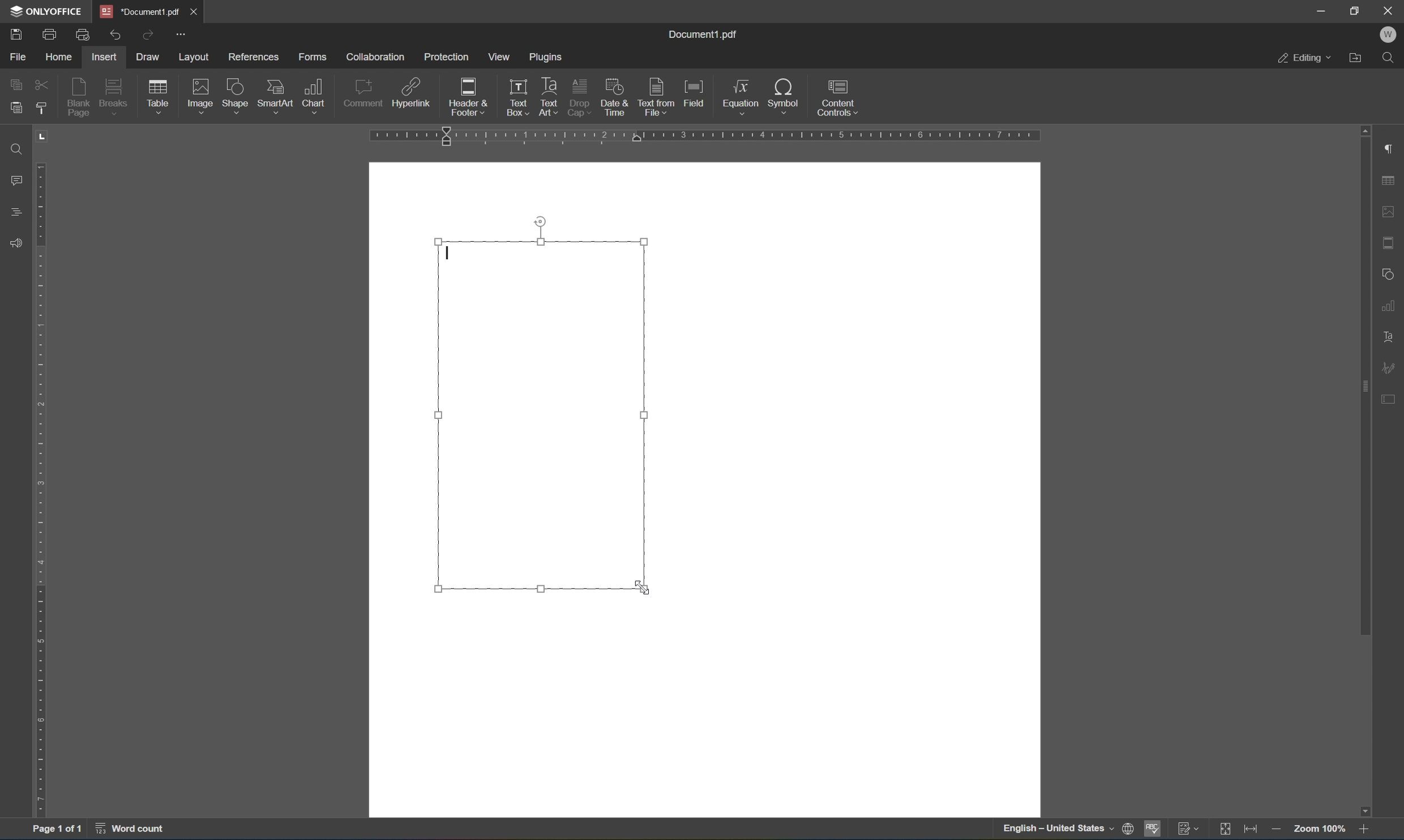 The width and height of the screenshot is (1404, 840). What do you see at coordinates (787, 98) in the screenshot?
I see `symbol` at bounding box center [787, 98].